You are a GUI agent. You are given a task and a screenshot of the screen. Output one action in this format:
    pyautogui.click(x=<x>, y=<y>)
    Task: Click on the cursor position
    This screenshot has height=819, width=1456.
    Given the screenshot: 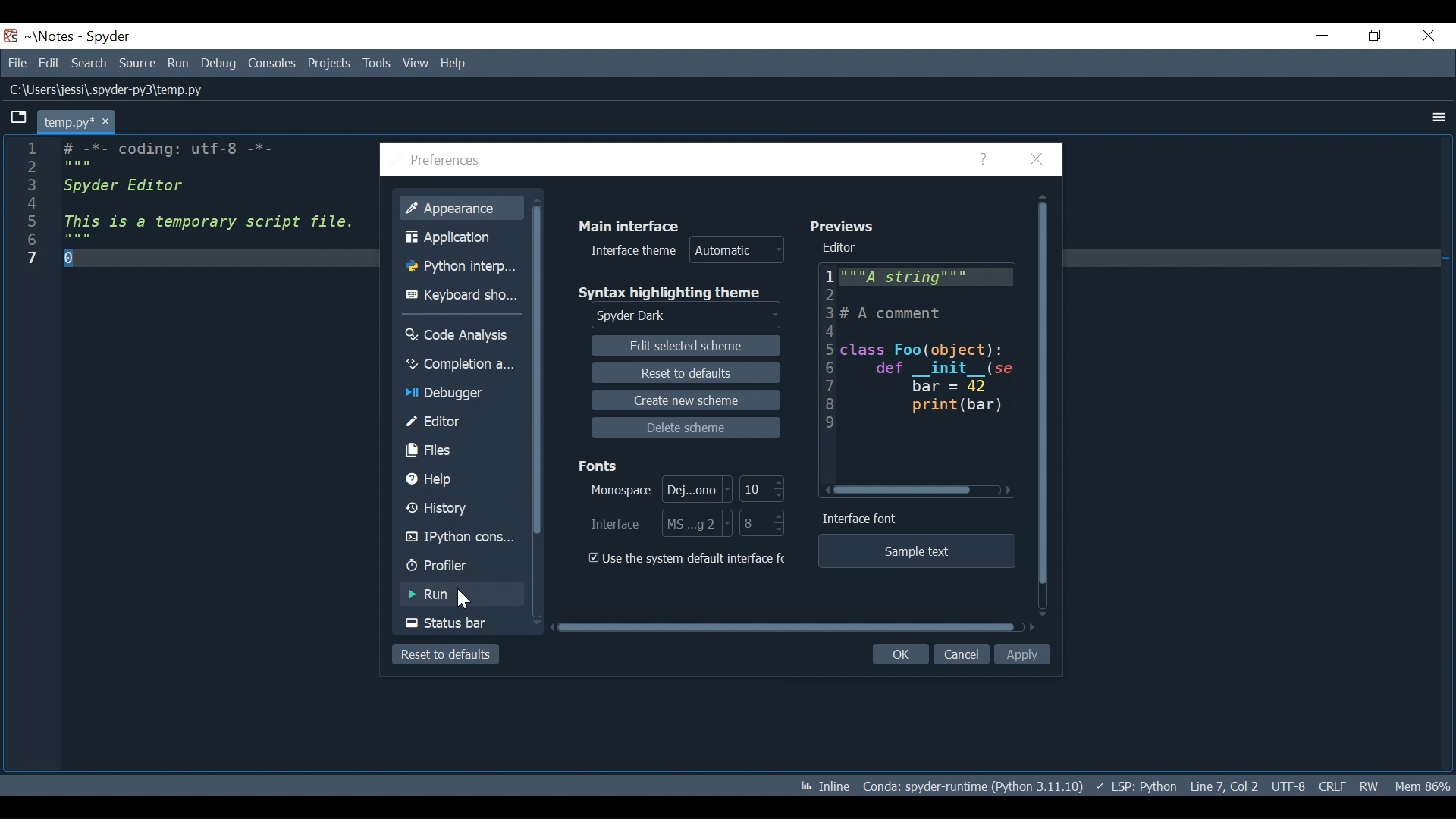 What is the action you would take?
    pyautogui.click(x=1224, y=786)
    